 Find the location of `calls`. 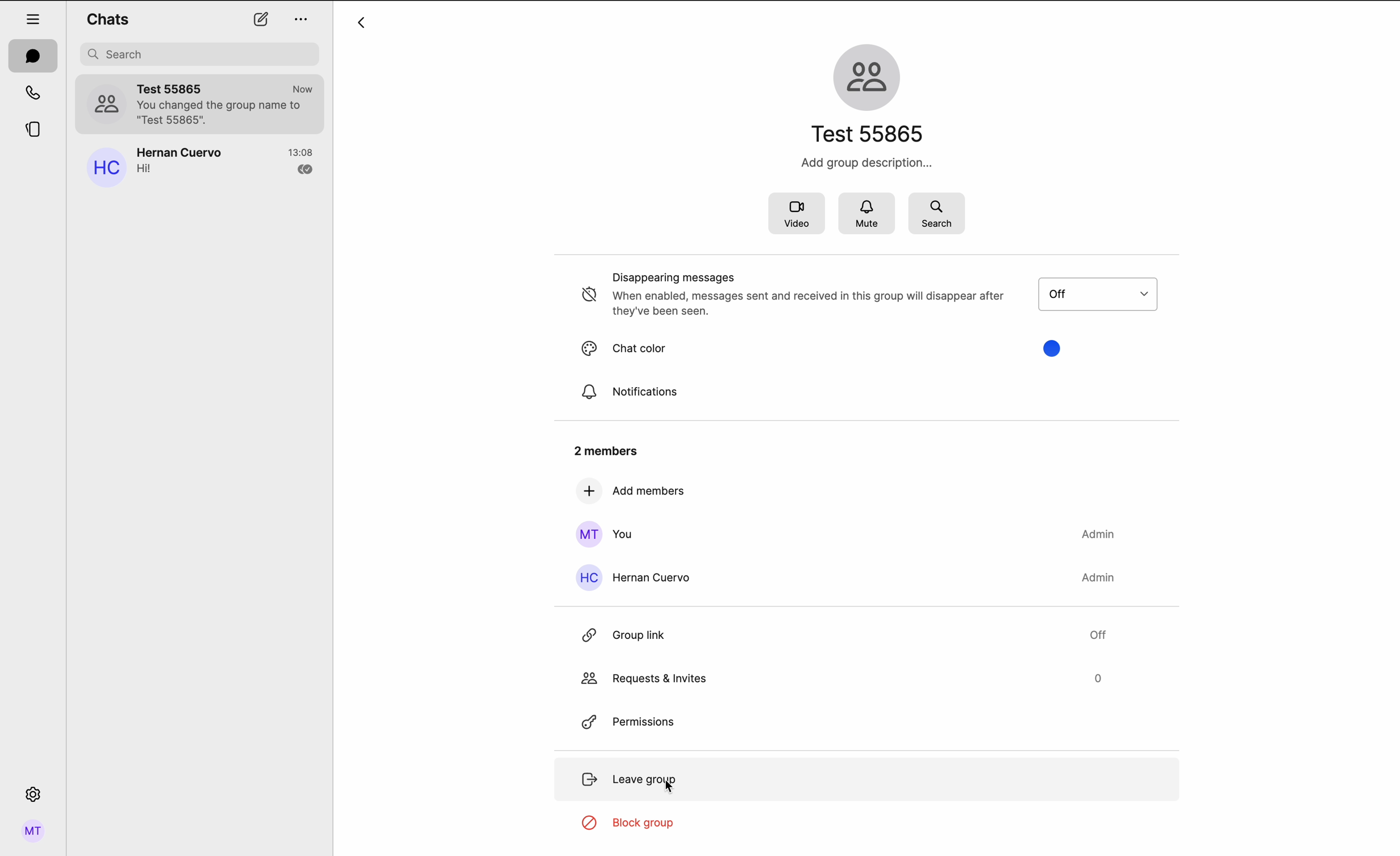

calls is located at coordinates (32, 92).